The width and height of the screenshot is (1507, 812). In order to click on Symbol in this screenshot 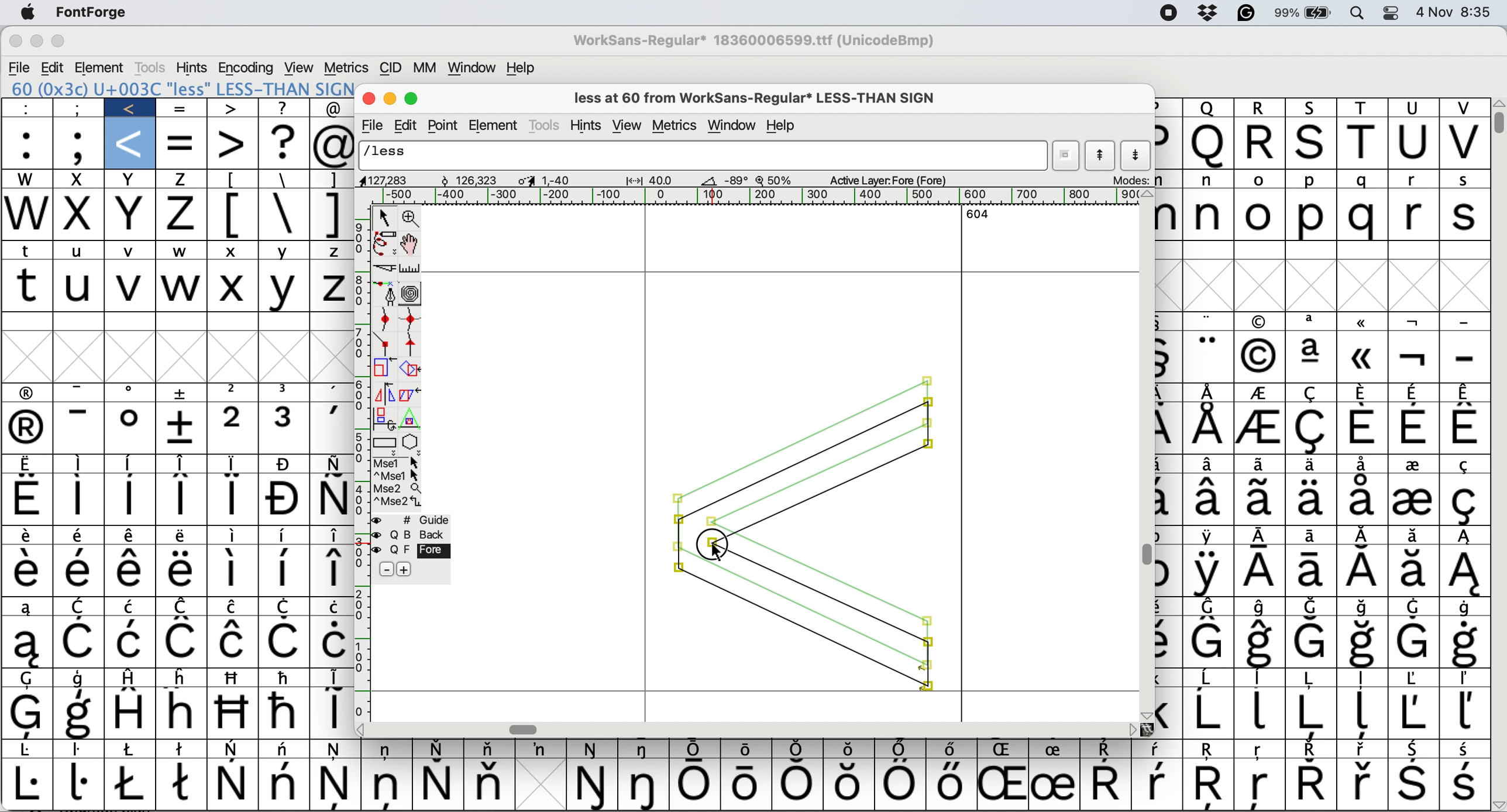, I will do `click(1210, 786)`.